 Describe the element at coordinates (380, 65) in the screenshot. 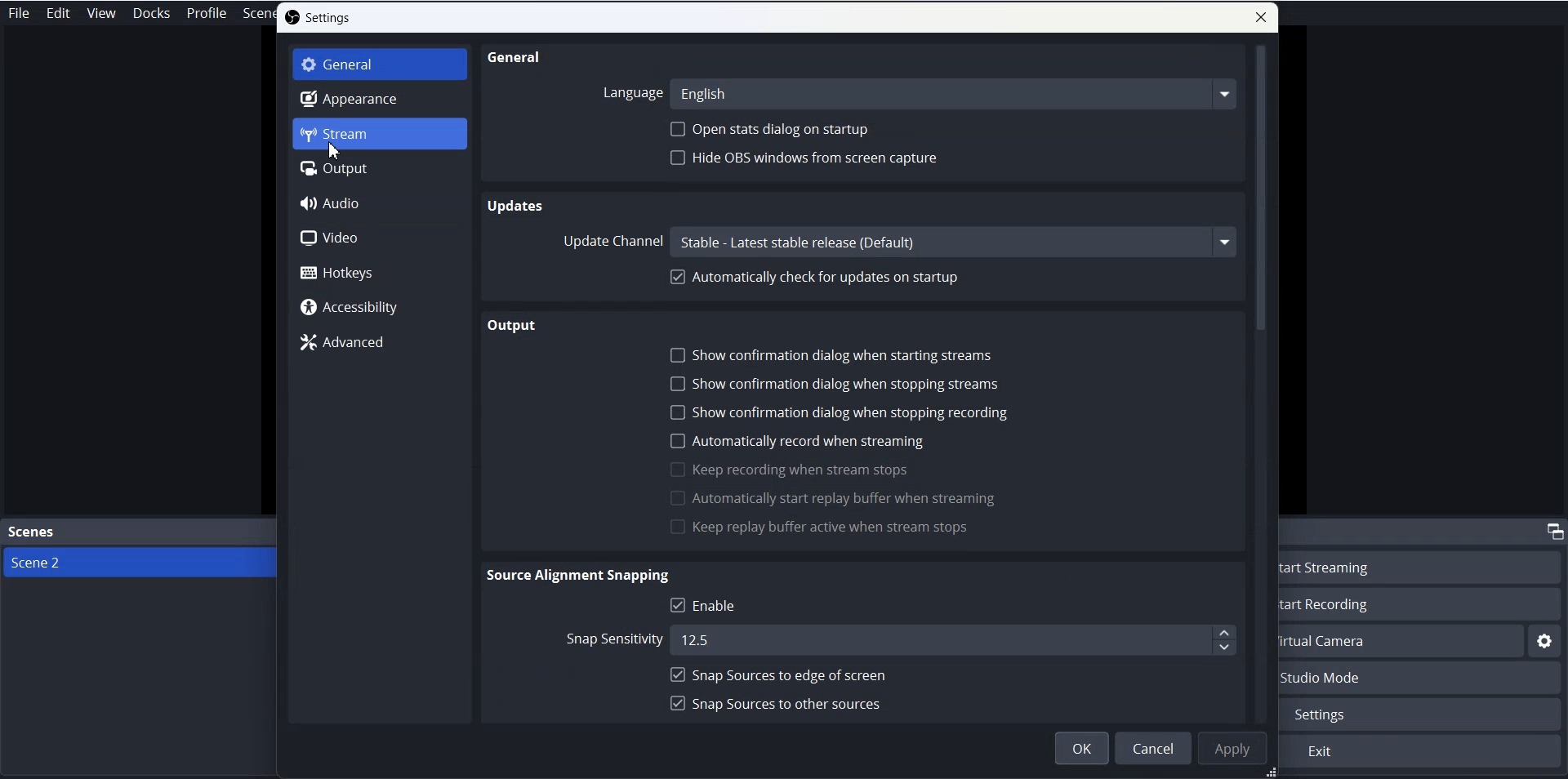

I see `General` at that location.